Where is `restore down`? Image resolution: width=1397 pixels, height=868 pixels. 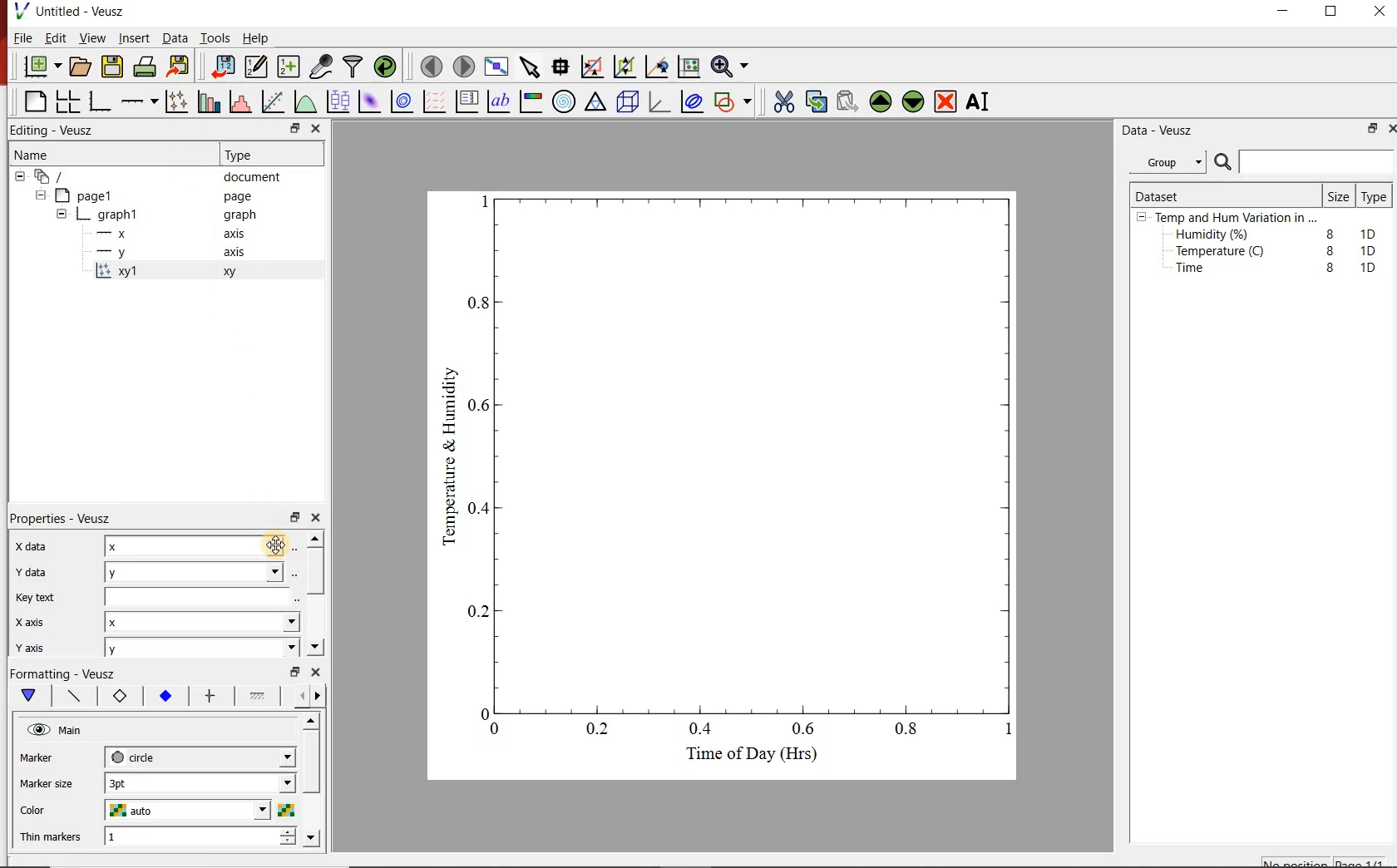 restore down is located at coordinates (294, 518).